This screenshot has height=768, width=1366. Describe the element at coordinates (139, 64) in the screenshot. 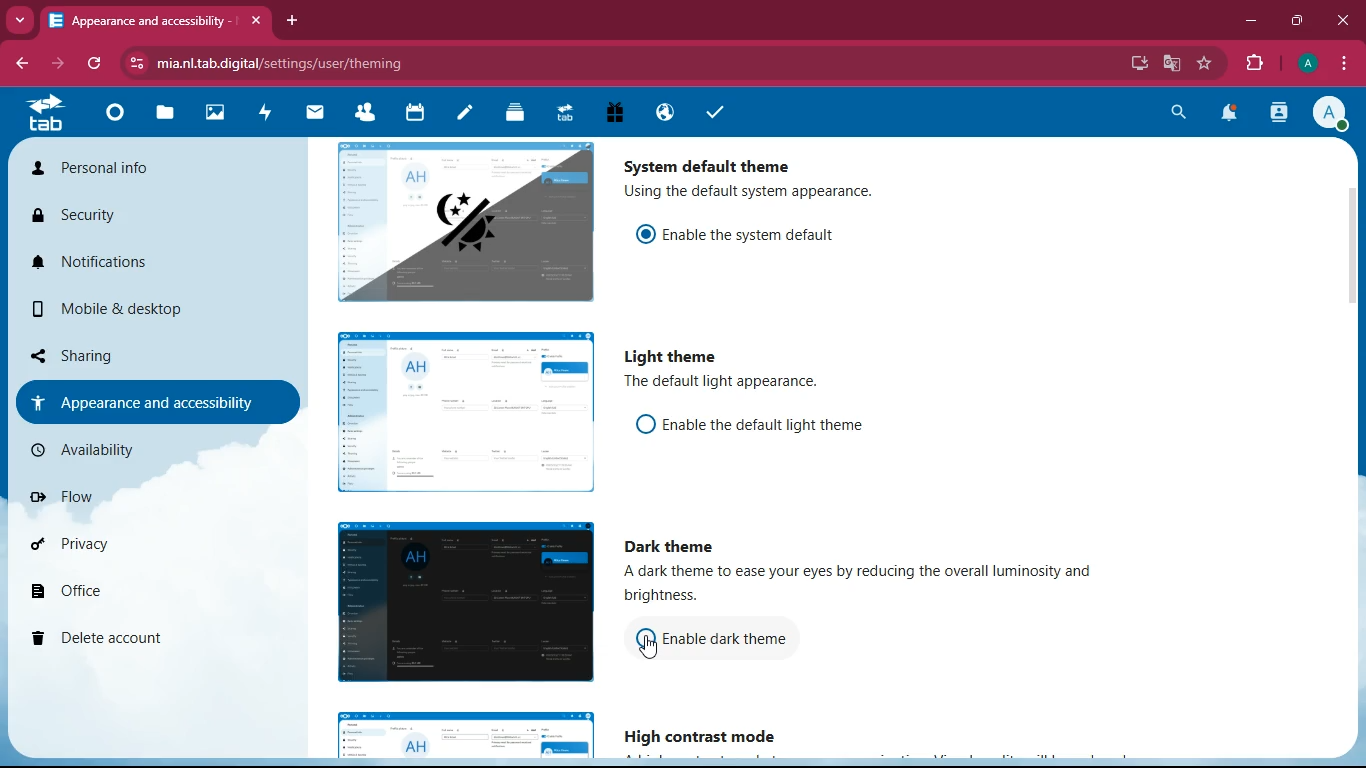

I see `view site information` at that location.